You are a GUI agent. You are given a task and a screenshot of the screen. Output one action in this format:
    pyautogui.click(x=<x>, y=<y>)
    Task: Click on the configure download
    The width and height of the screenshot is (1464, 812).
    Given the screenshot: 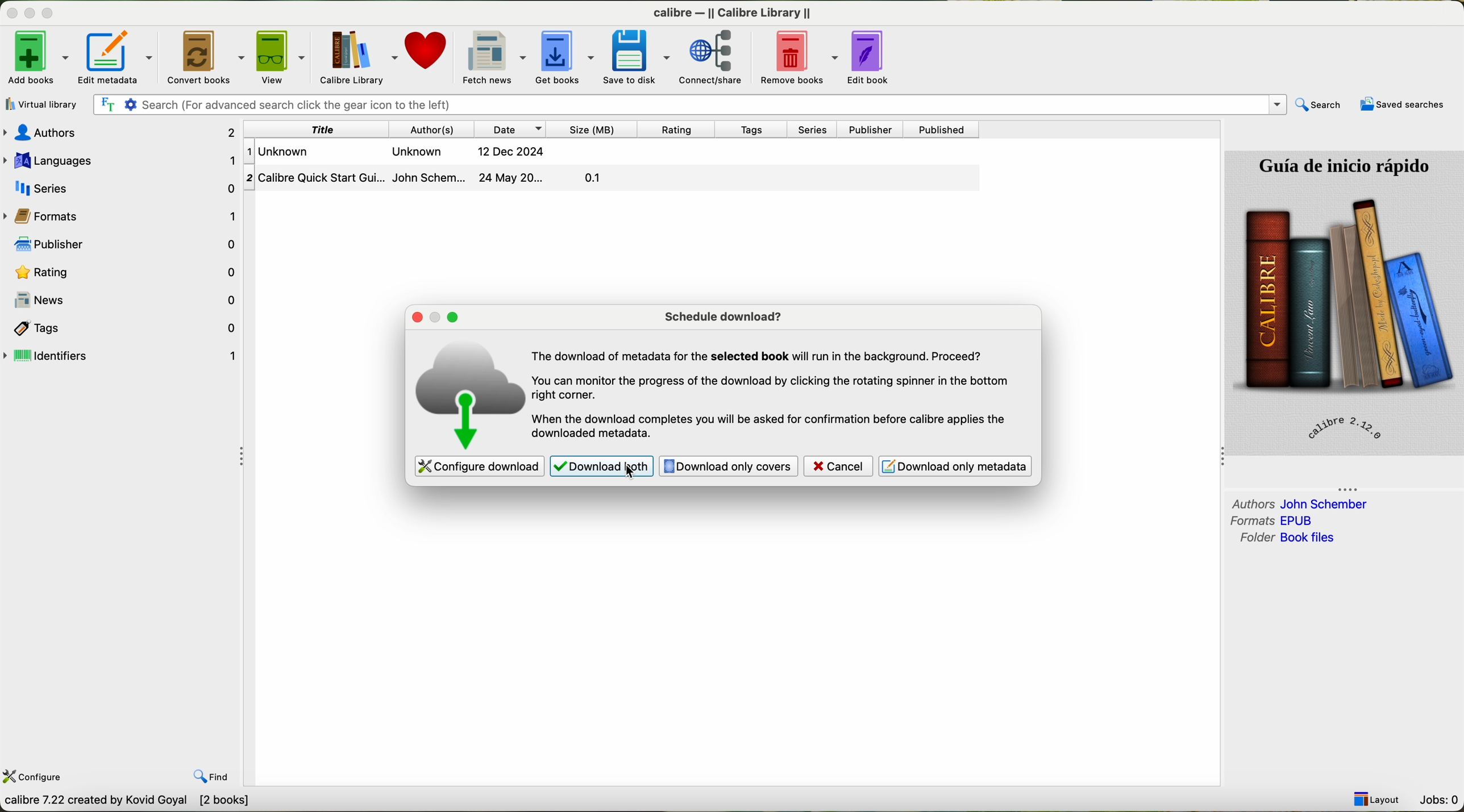 What is the action you would take?
    pyautogui.click(x=479, y=467)
    